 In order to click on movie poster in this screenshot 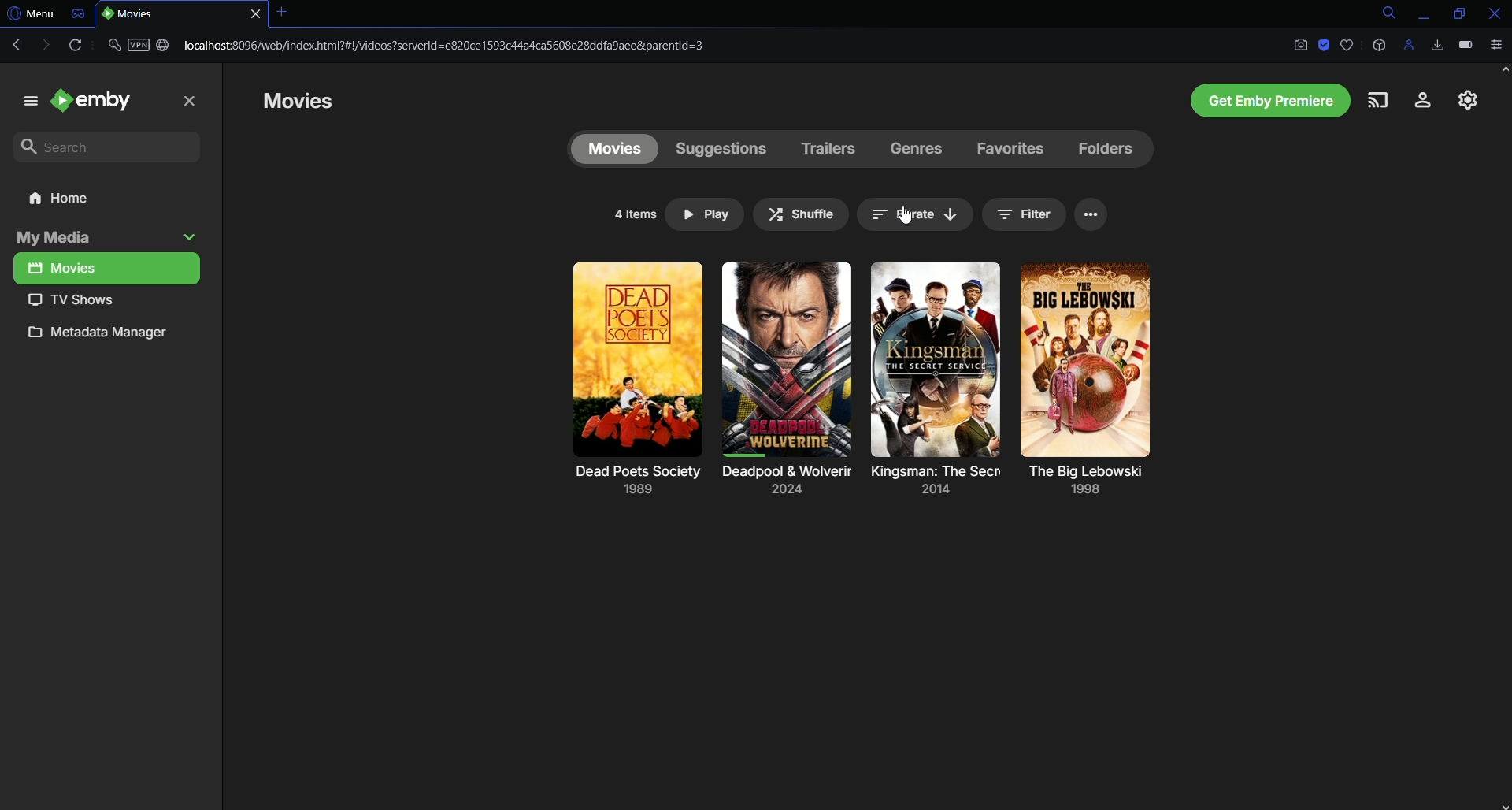, I will do `click(1087, 359)`.